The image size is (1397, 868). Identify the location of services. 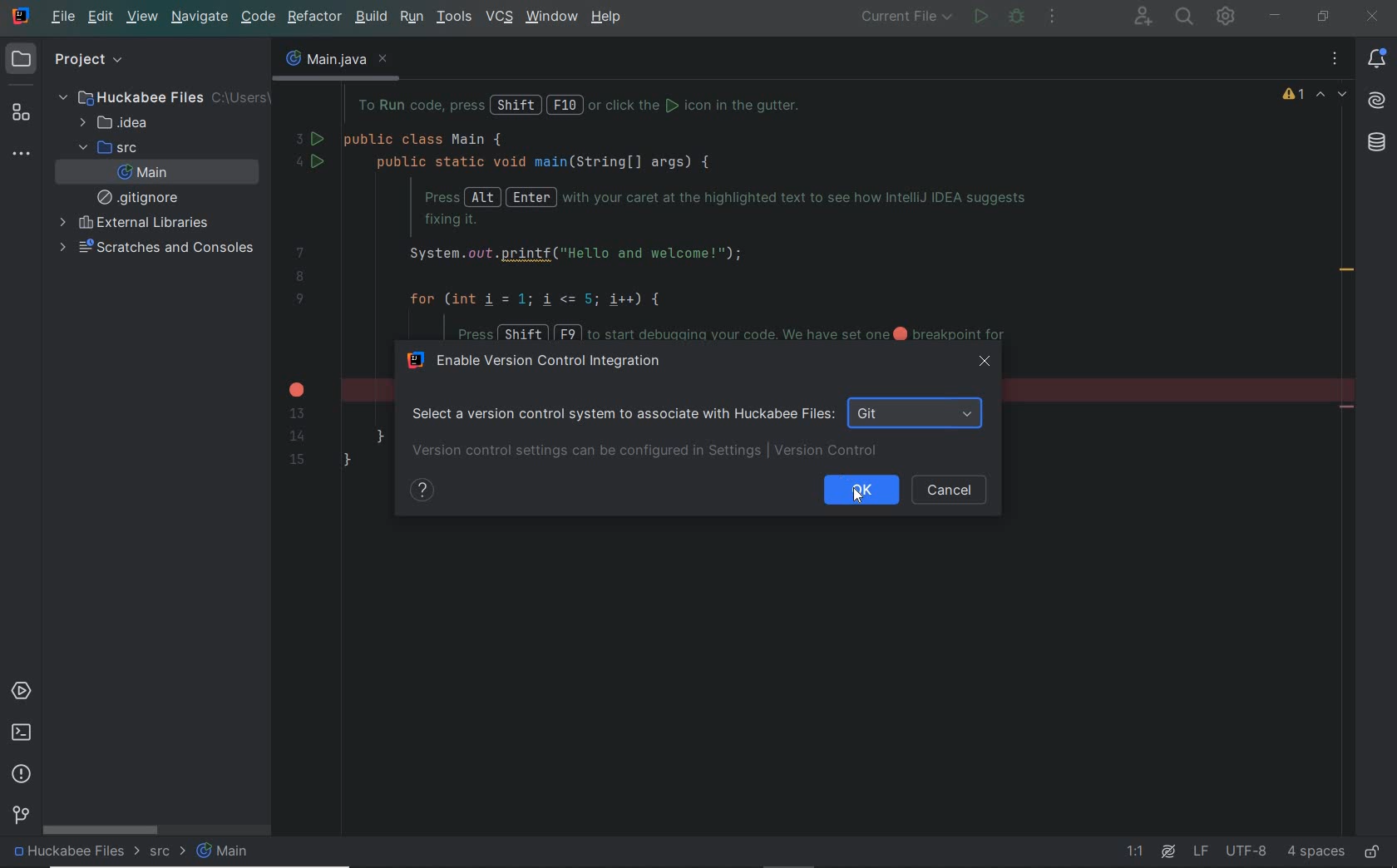
(22, 690).